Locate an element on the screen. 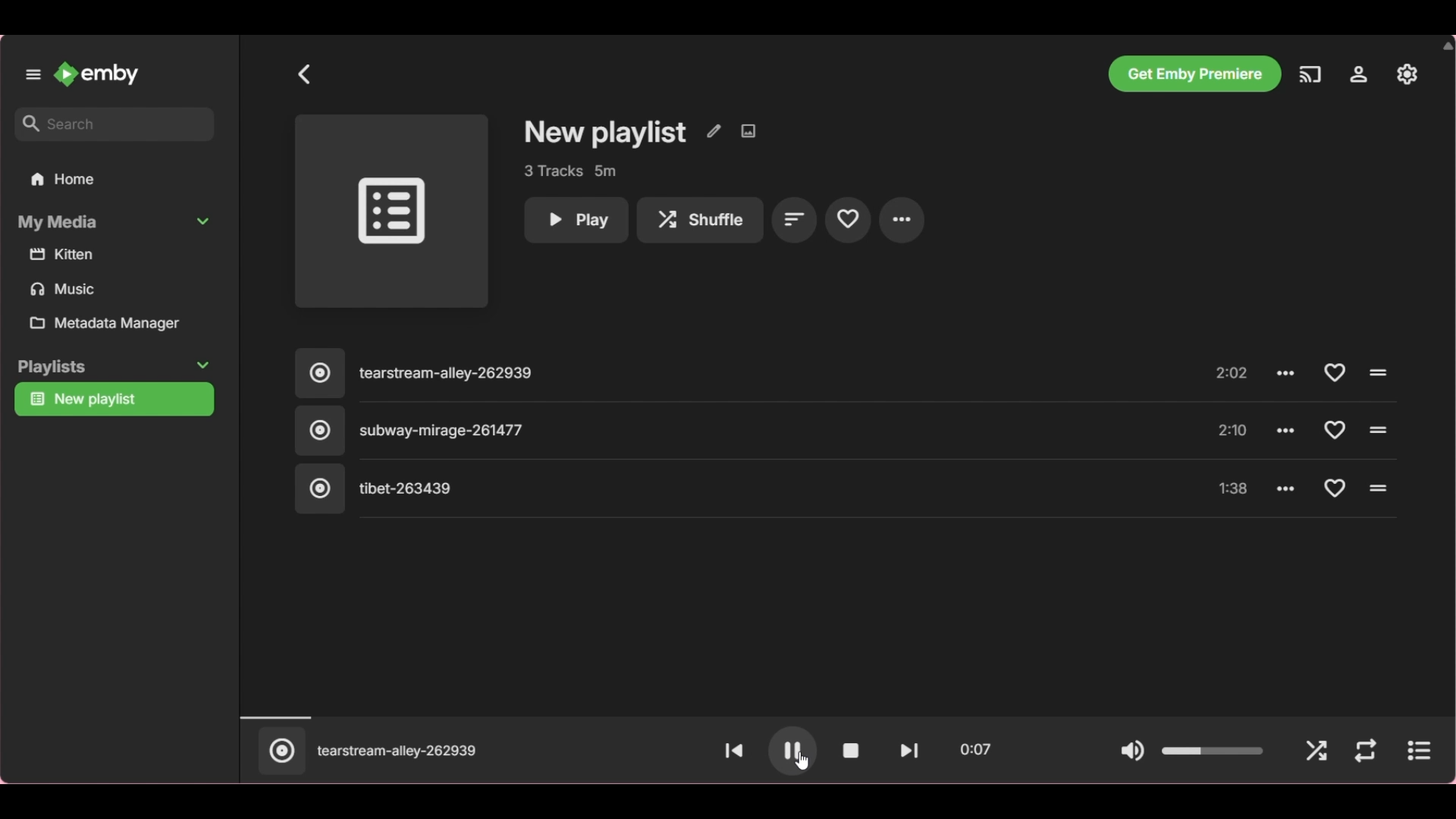 The width and height of the screenshot is (1456, 819). Add to favourite  is located at coordinates (848, 218).